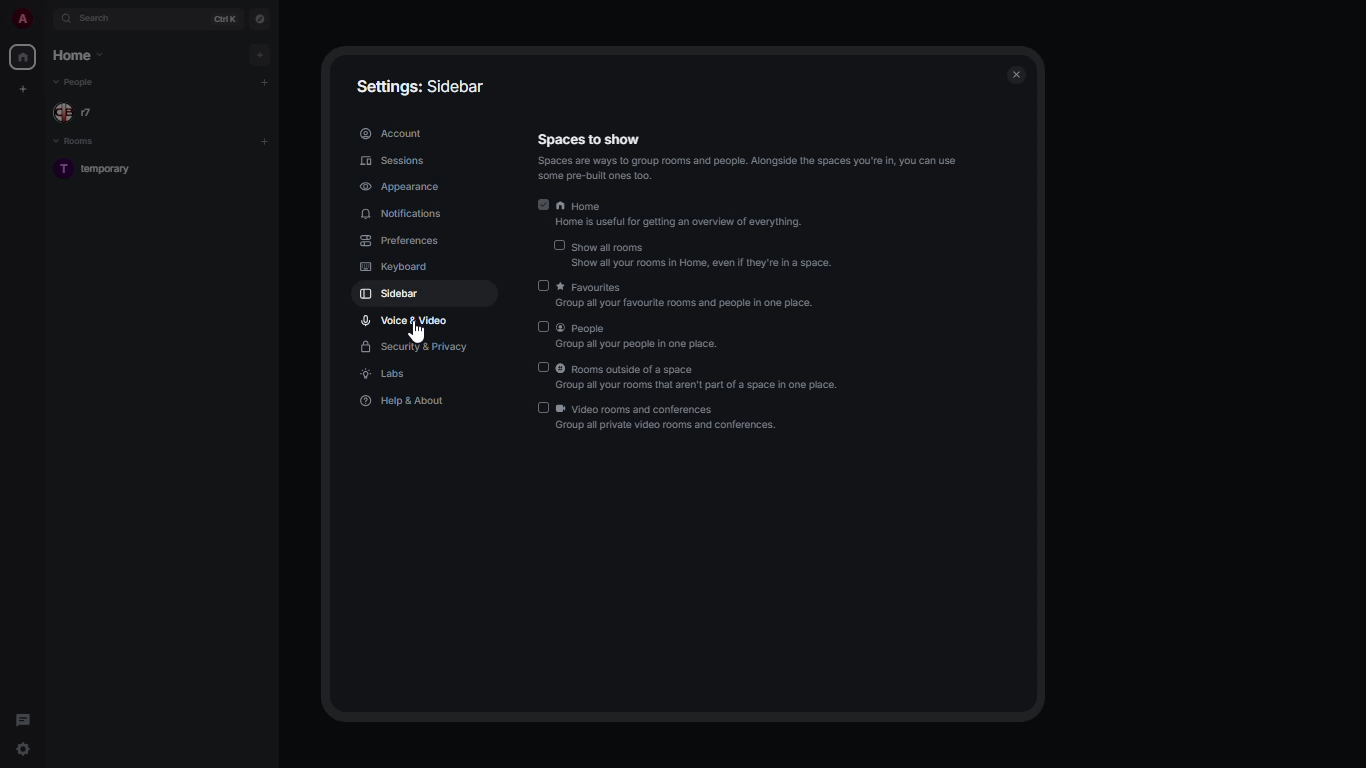 The width and height of the screenshot is (1366, 768). What do you see at coordinates (401, 188) in the screenshot?
I see `appearance` at bounding box center [401, 188].